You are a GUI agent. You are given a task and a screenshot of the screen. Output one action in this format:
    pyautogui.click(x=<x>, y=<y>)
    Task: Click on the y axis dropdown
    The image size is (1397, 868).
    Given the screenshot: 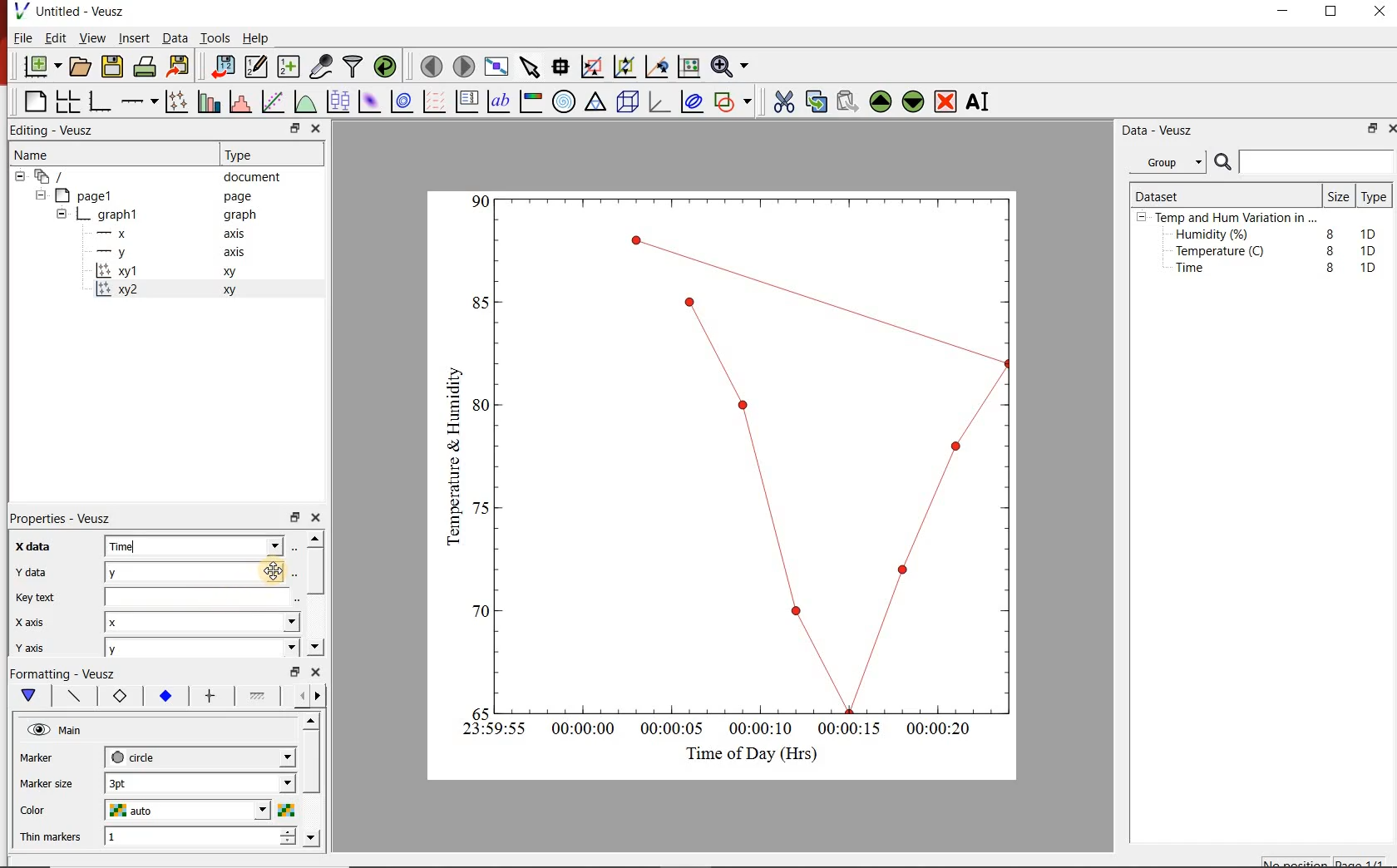 What is the action you would take?
    pyautogui.click(x=259, y=650)
    